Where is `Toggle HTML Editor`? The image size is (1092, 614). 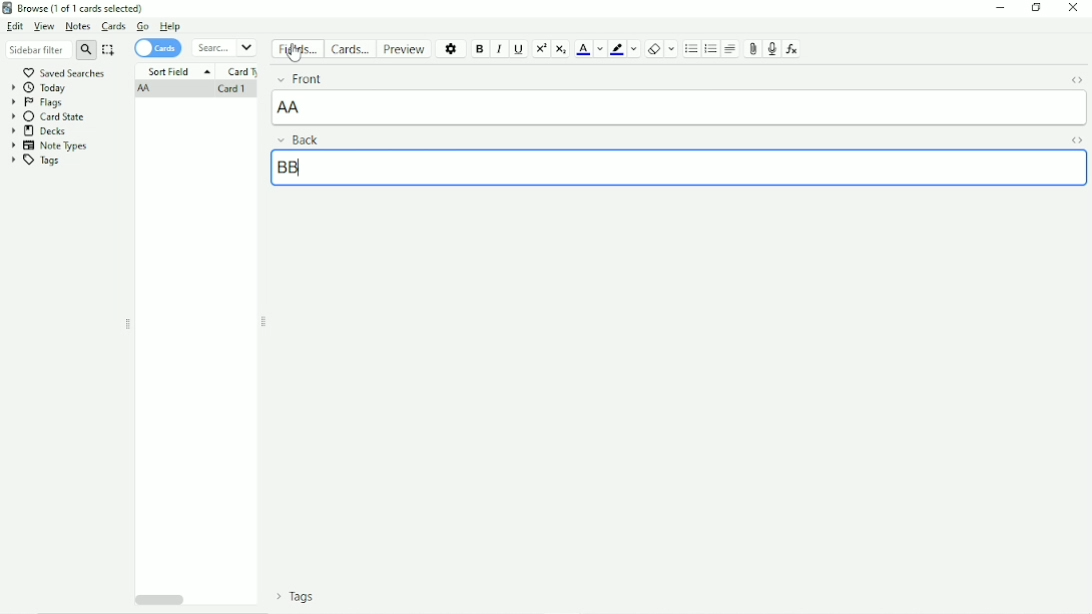 Toggle HTML Editor is located at coordinates (1078, 140).